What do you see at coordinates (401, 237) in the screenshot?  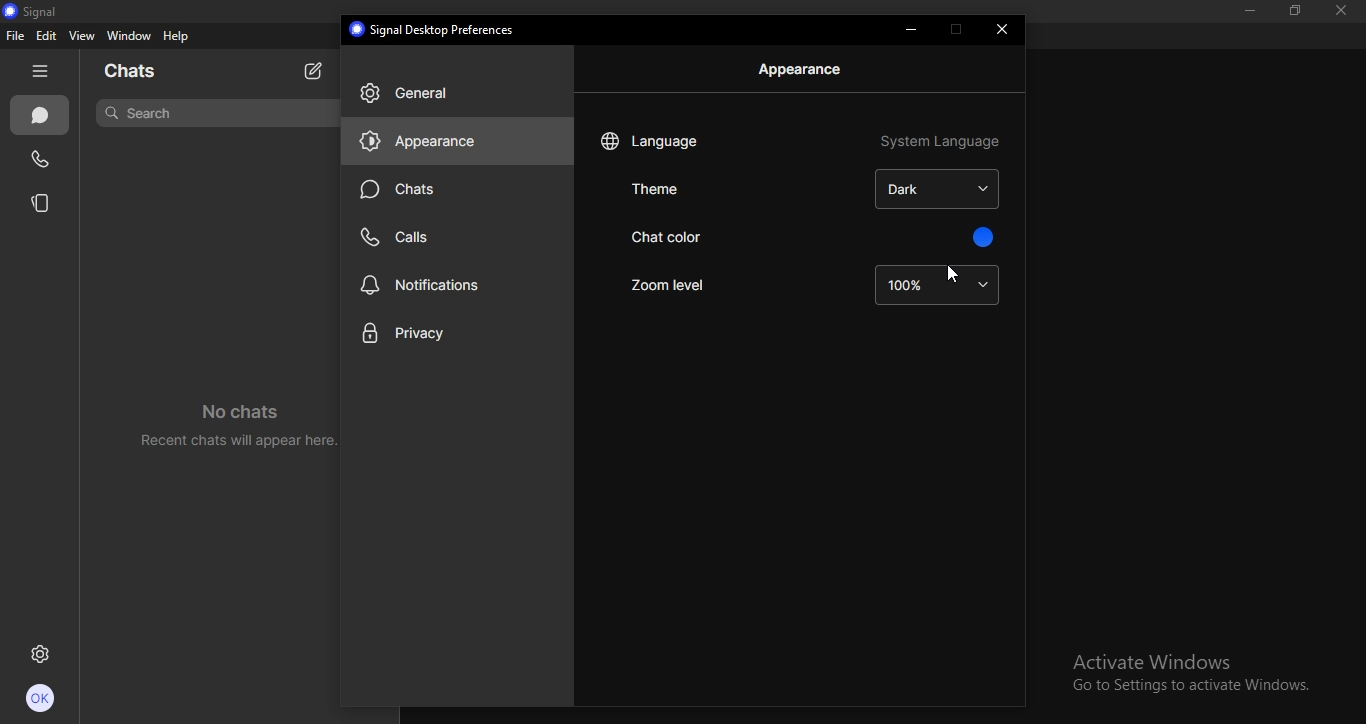 I see `calls` at bounding box center [401, 237].